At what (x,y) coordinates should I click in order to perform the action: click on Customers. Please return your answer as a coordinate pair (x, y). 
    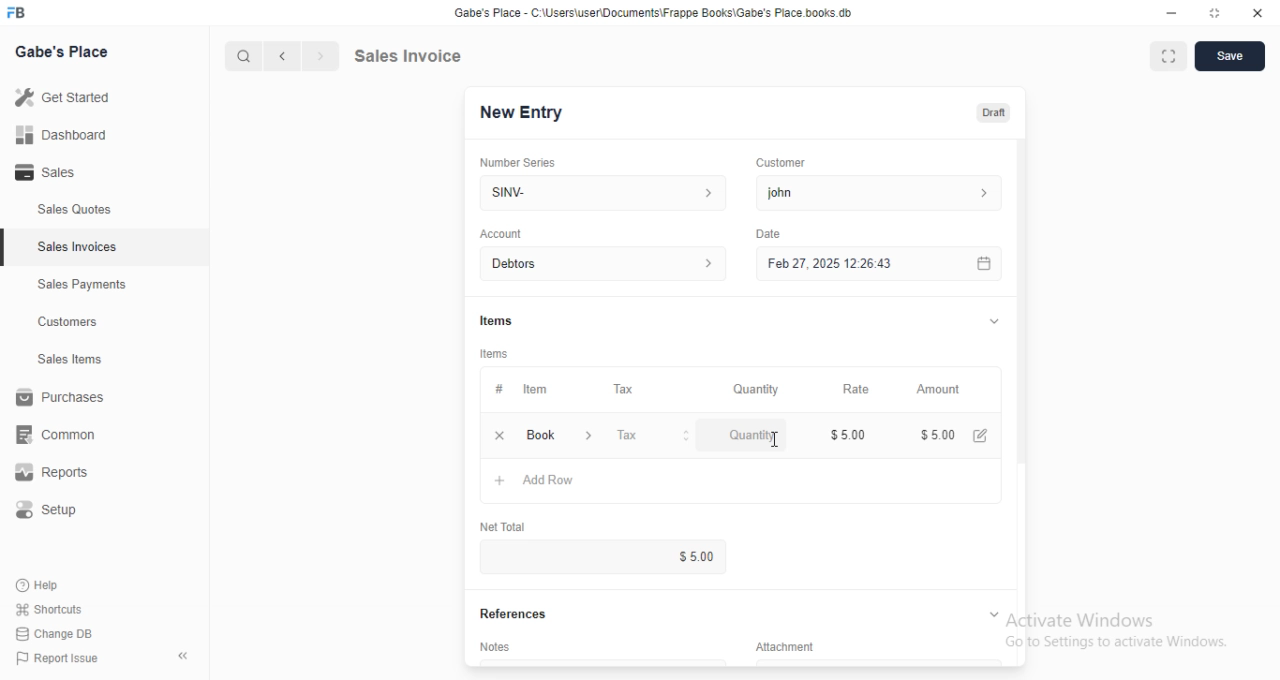
    Looking at the image, I should click on (67, 323).